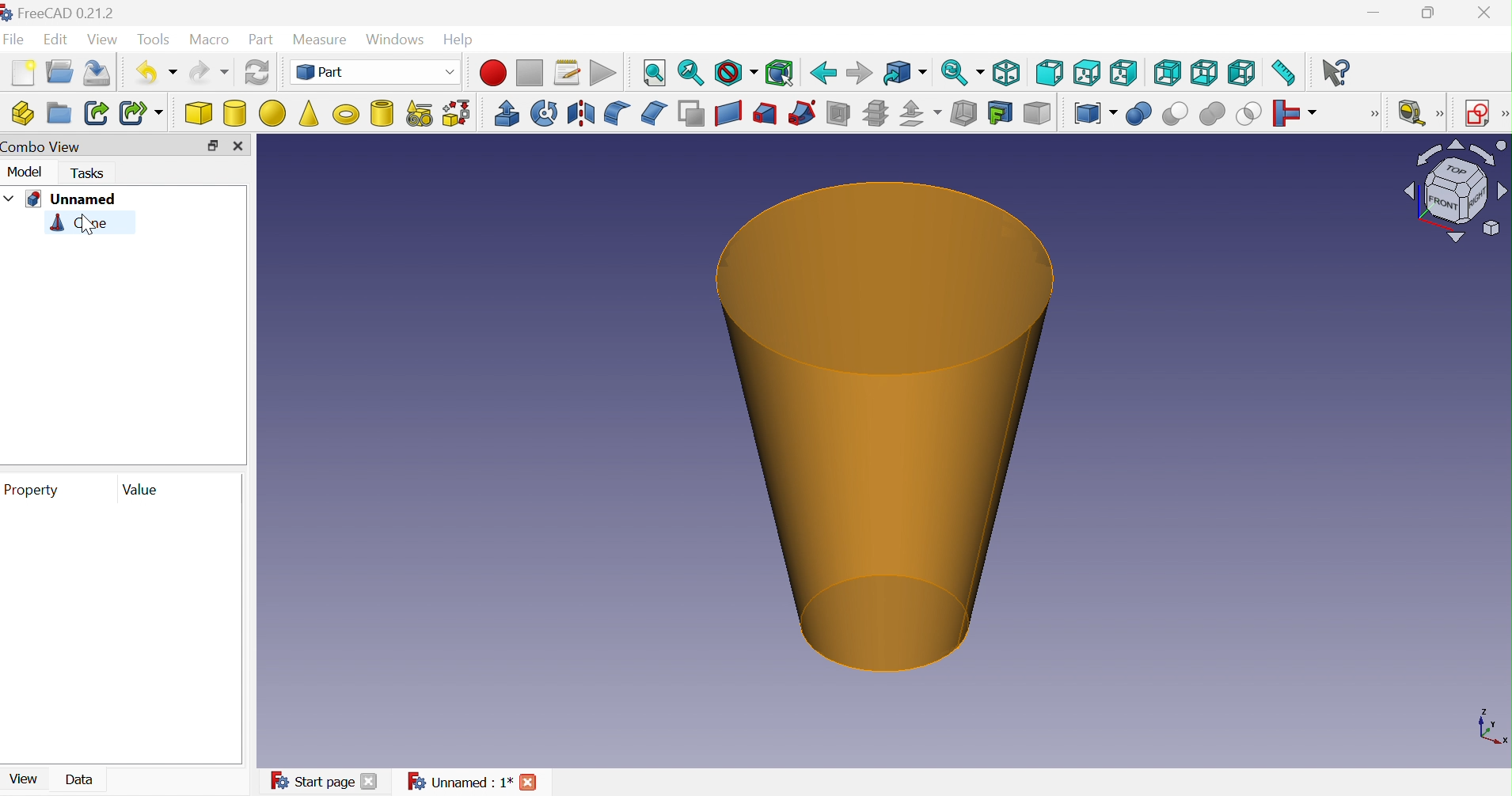  Describe the element at coordinates (101, 72) in the screenshot. I see `Save` at that location.